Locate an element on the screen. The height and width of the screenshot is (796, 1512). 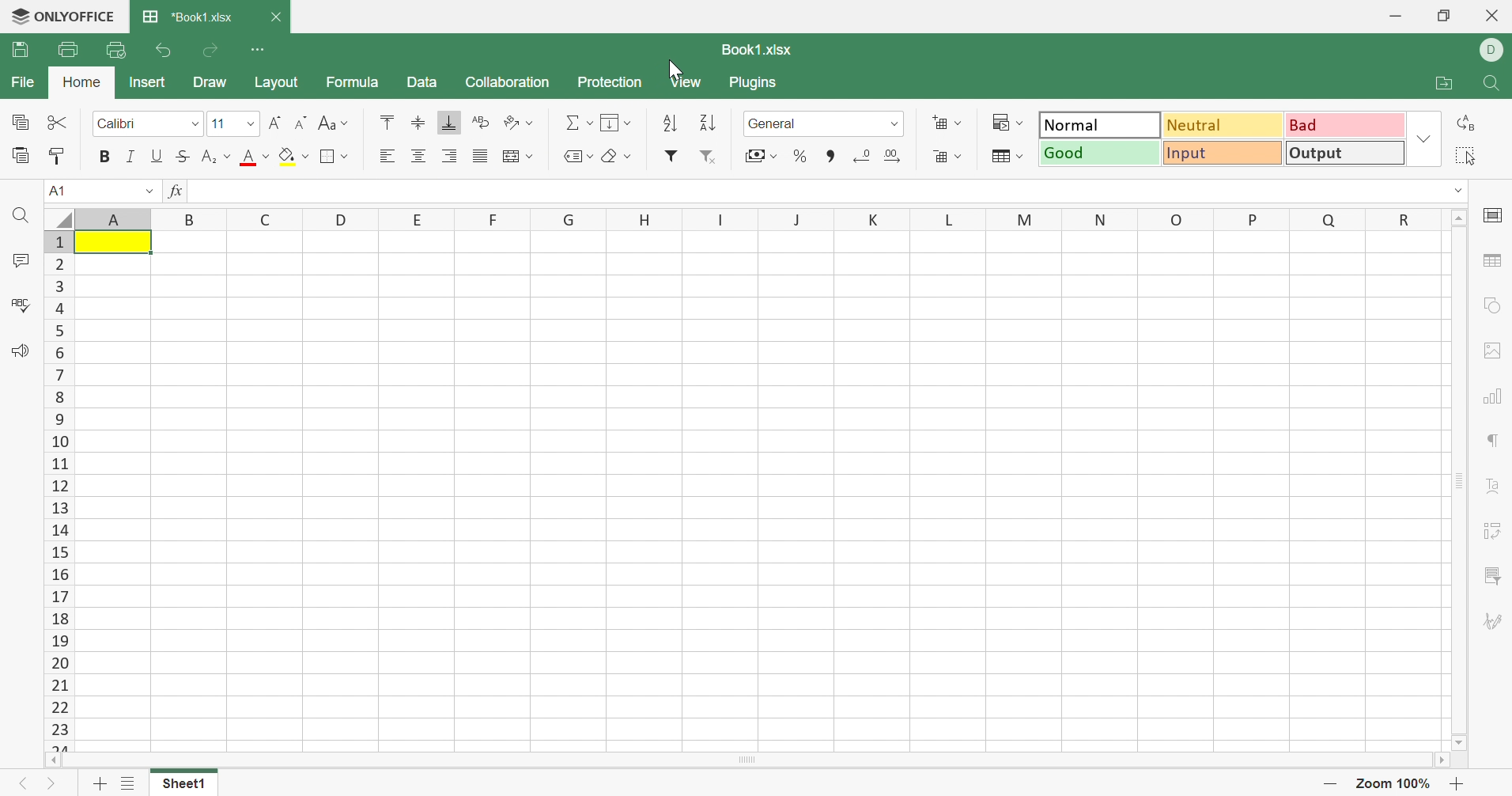
Orientation is located at coordinates (517, 123).